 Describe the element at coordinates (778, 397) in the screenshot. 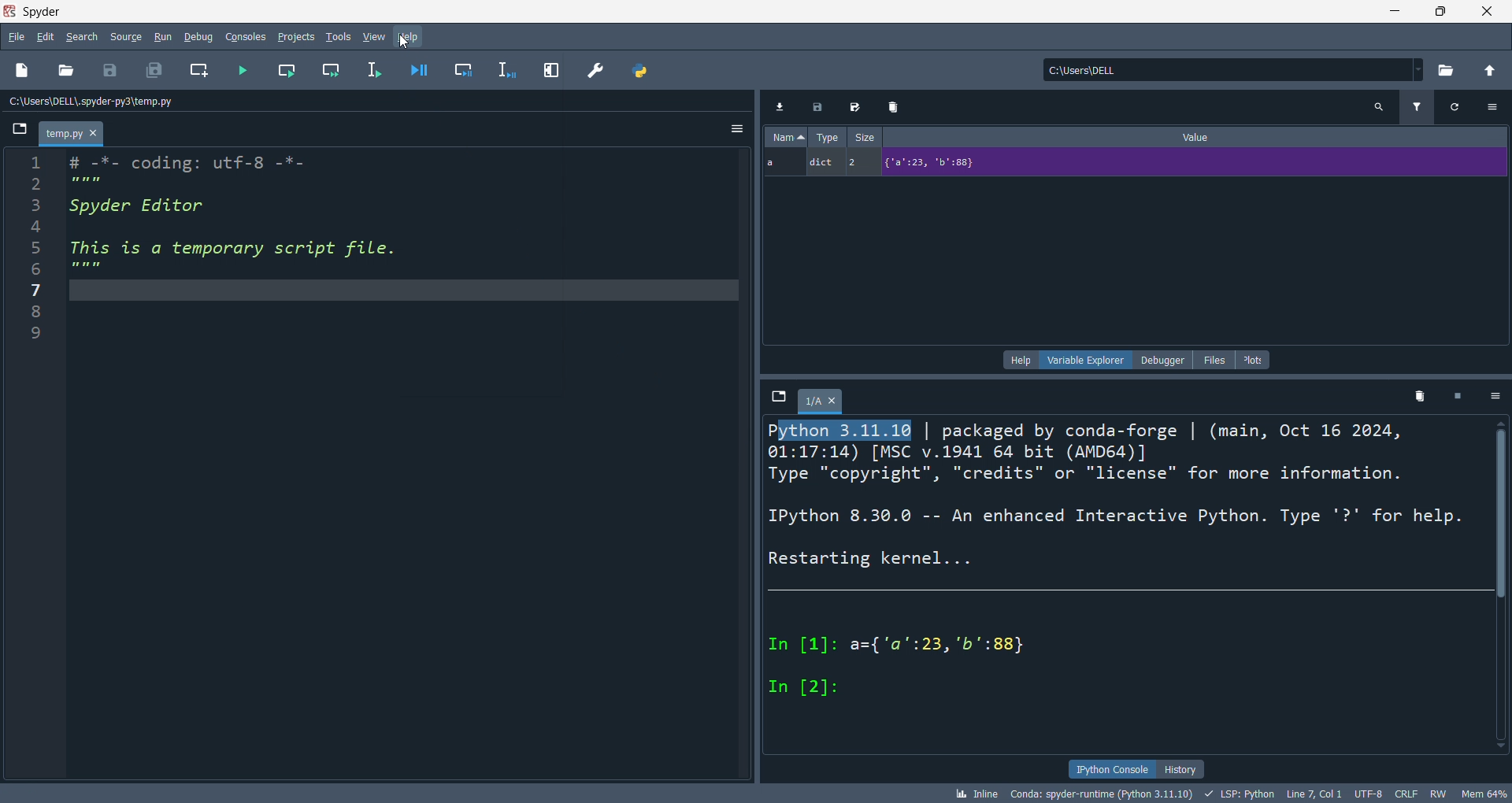

I see `File` at that location.